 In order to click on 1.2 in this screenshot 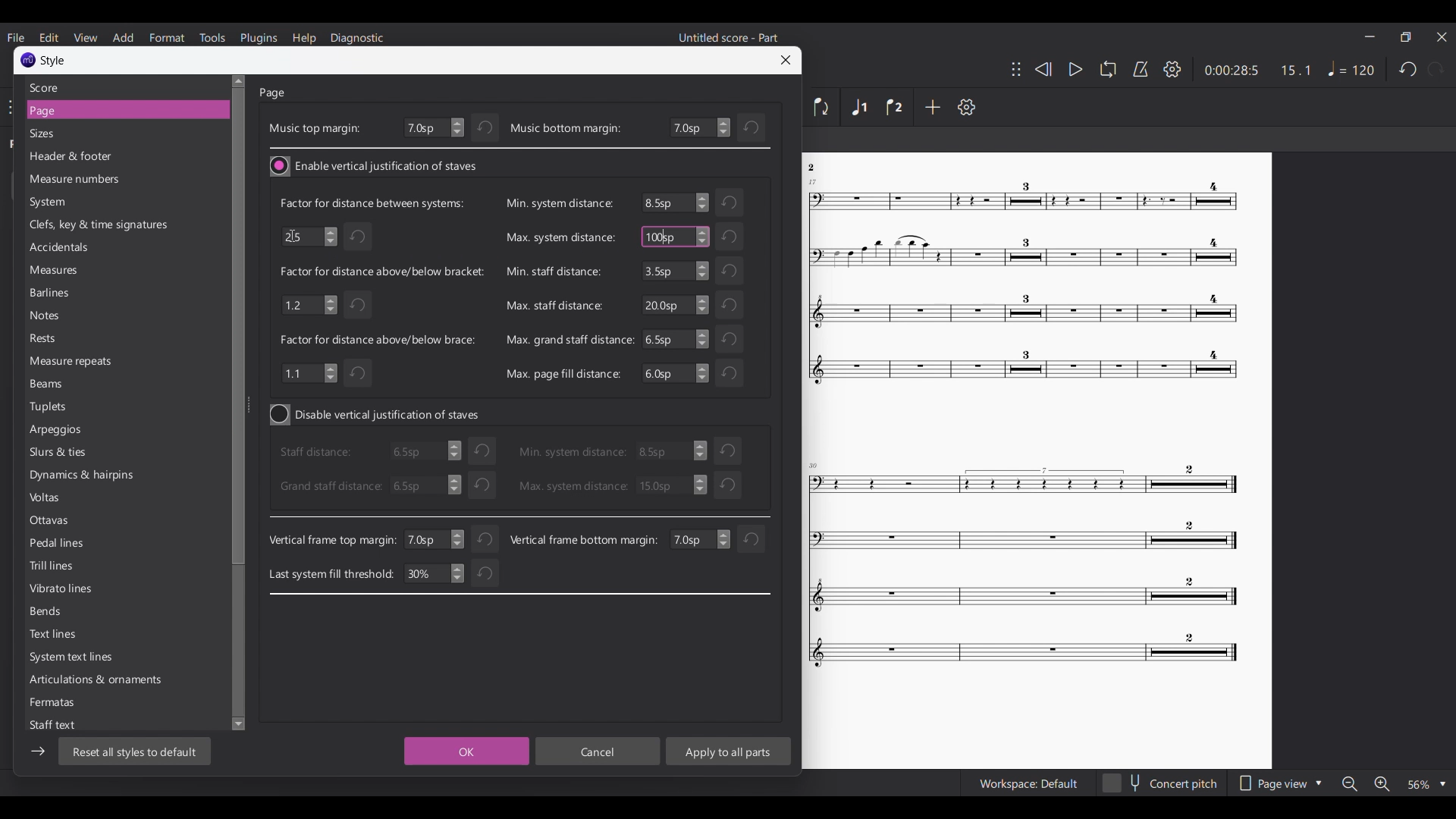, I will do `click(308, 303)`.